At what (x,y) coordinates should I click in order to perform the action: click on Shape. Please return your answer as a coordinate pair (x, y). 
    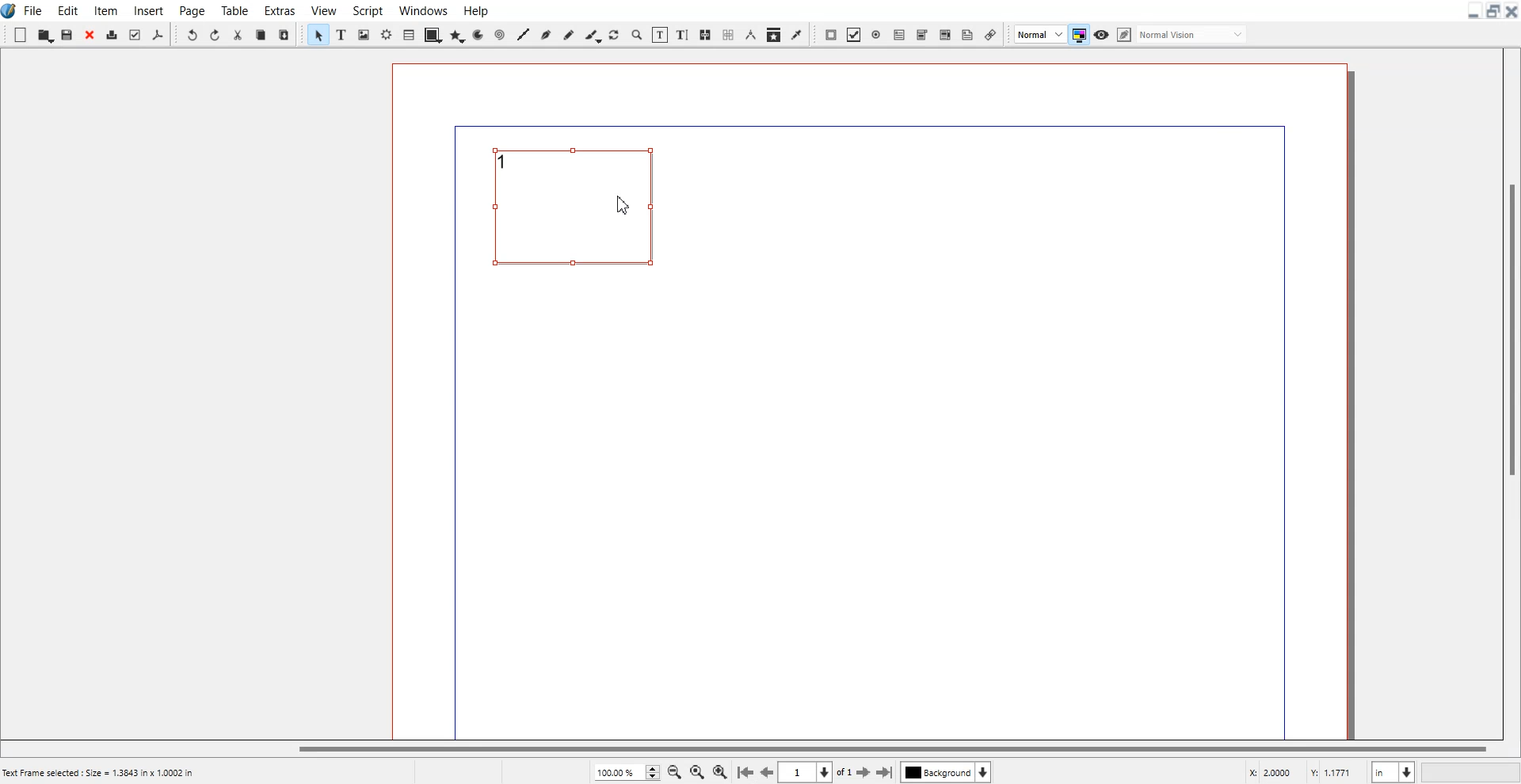
    Looking at the image, I should click on (433, 34).